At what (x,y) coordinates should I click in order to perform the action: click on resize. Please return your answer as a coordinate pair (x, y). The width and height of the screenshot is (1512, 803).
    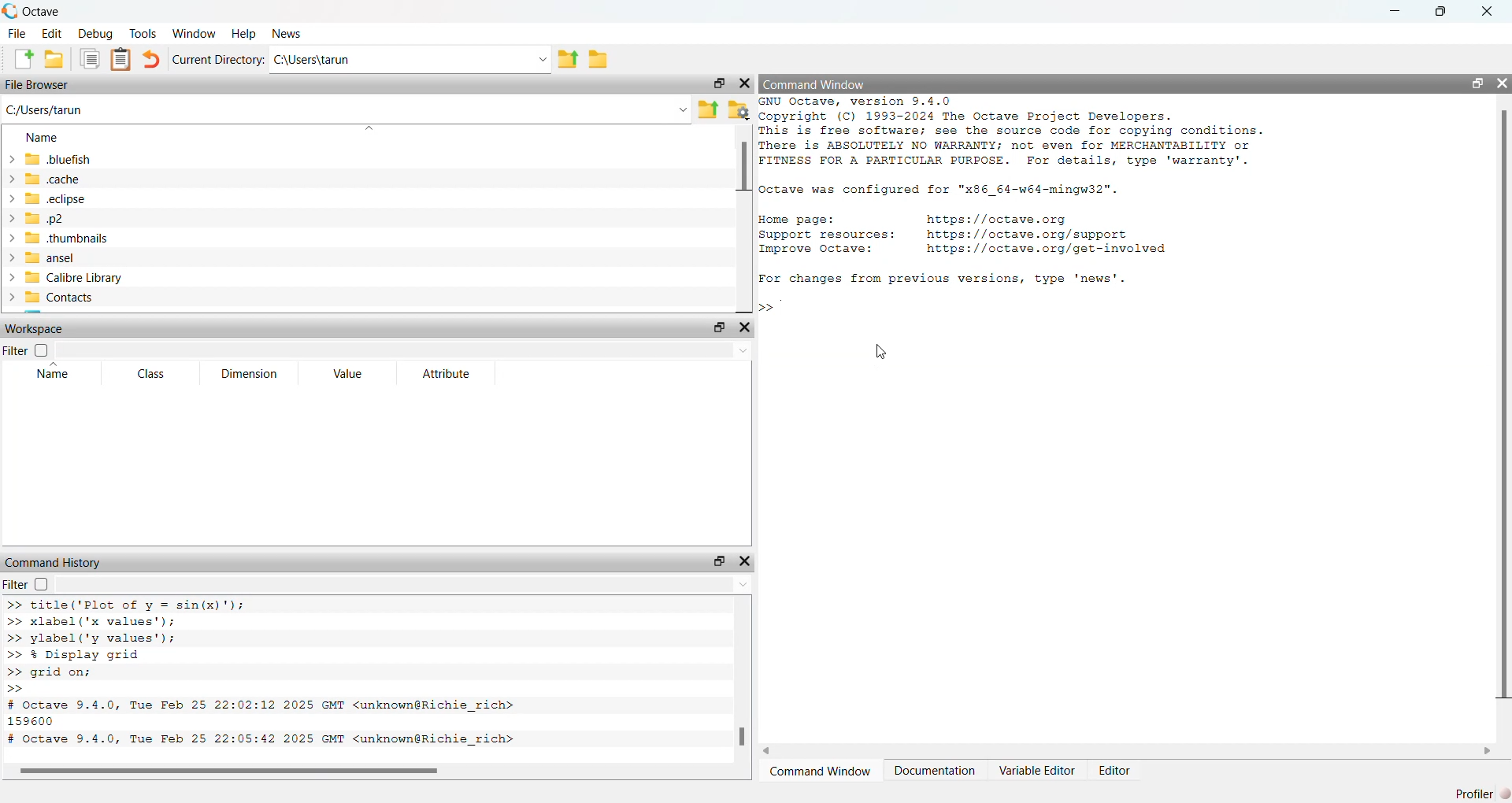
    Looking at the image, I should click on (721, 561).